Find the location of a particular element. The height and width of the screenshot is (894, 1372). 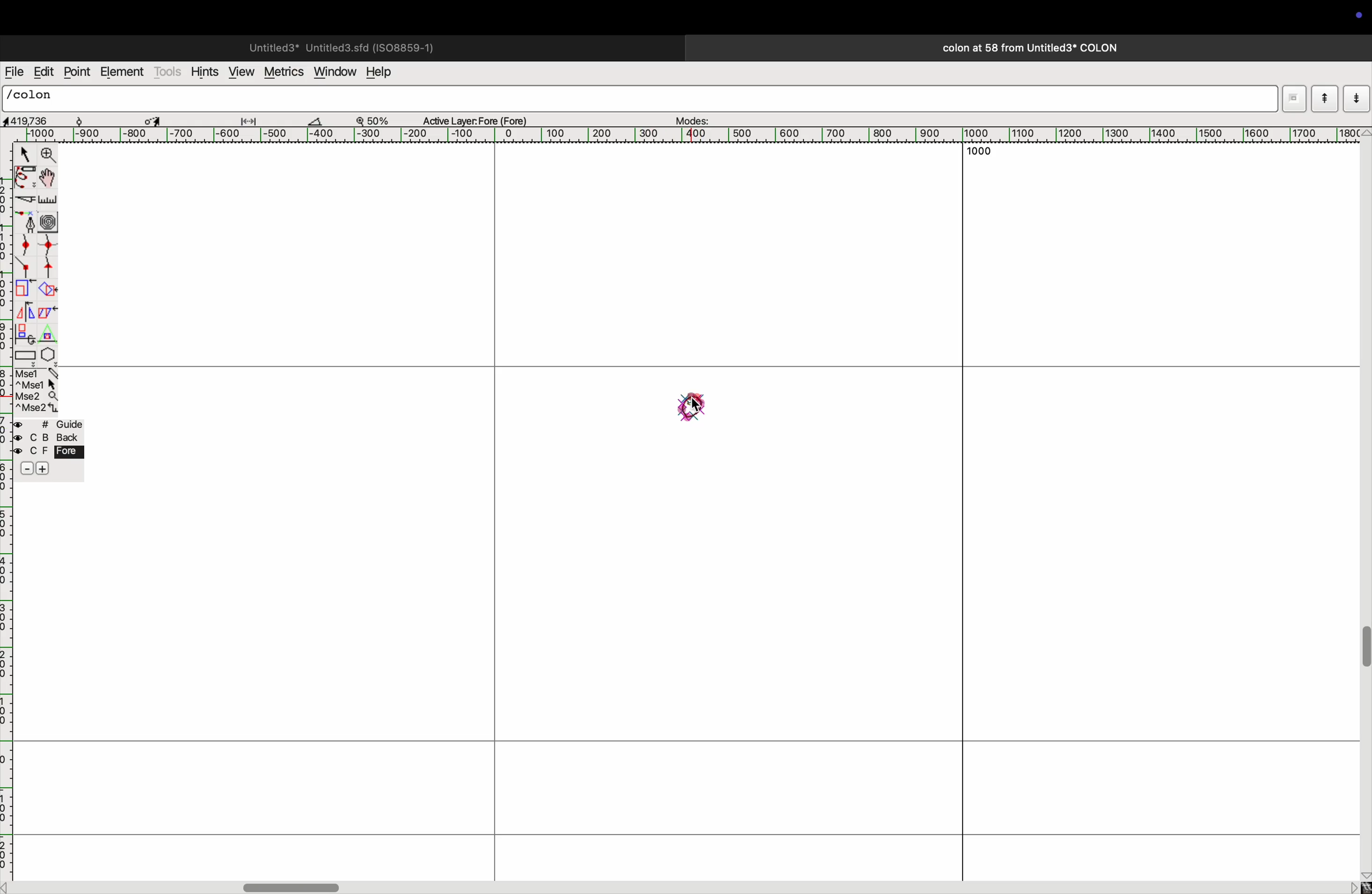

colon title is located at coordinates (1025, 48).